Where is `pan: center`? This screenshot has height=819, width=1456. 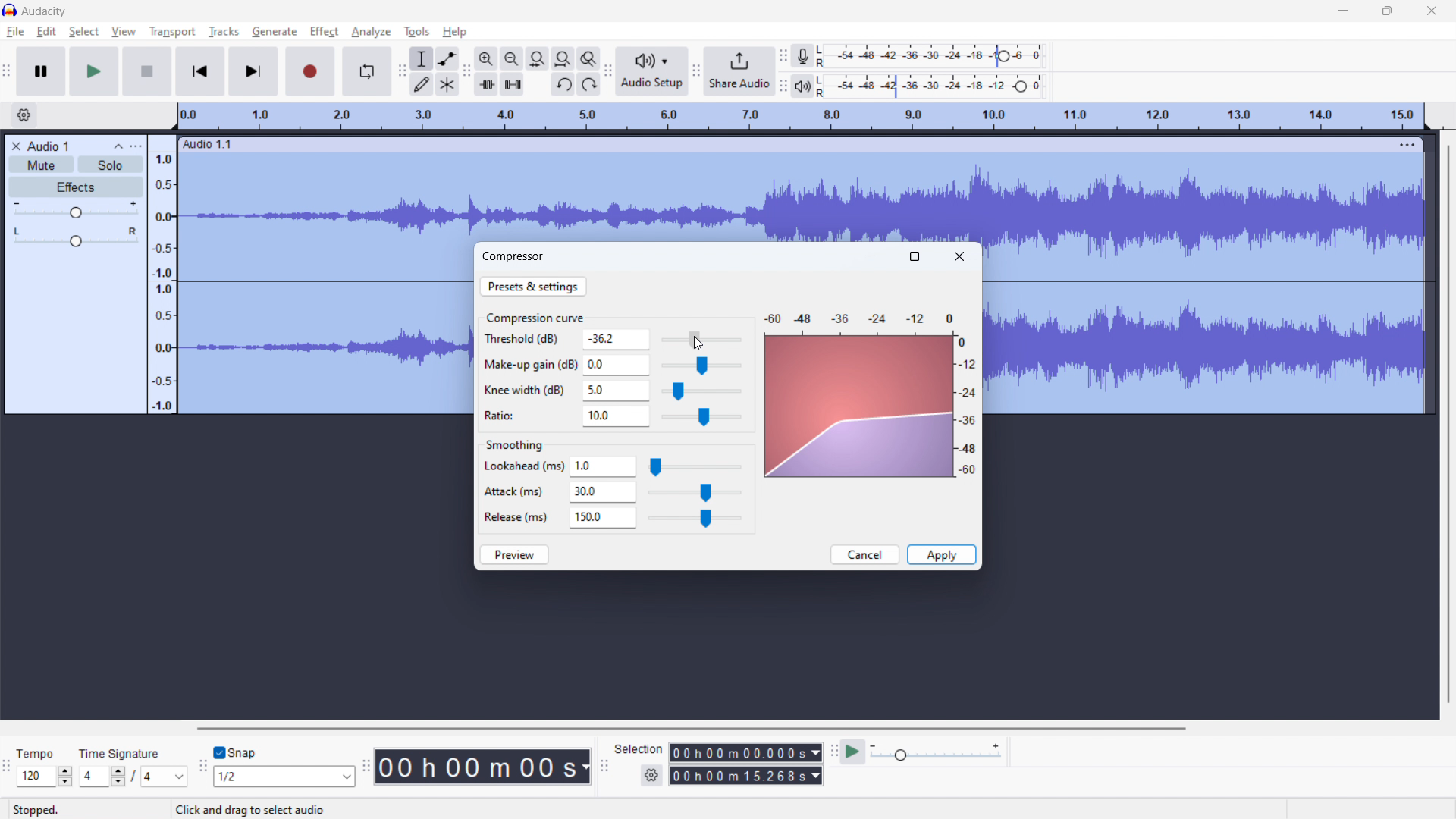
pan: center is located at coordinates (75, 237).